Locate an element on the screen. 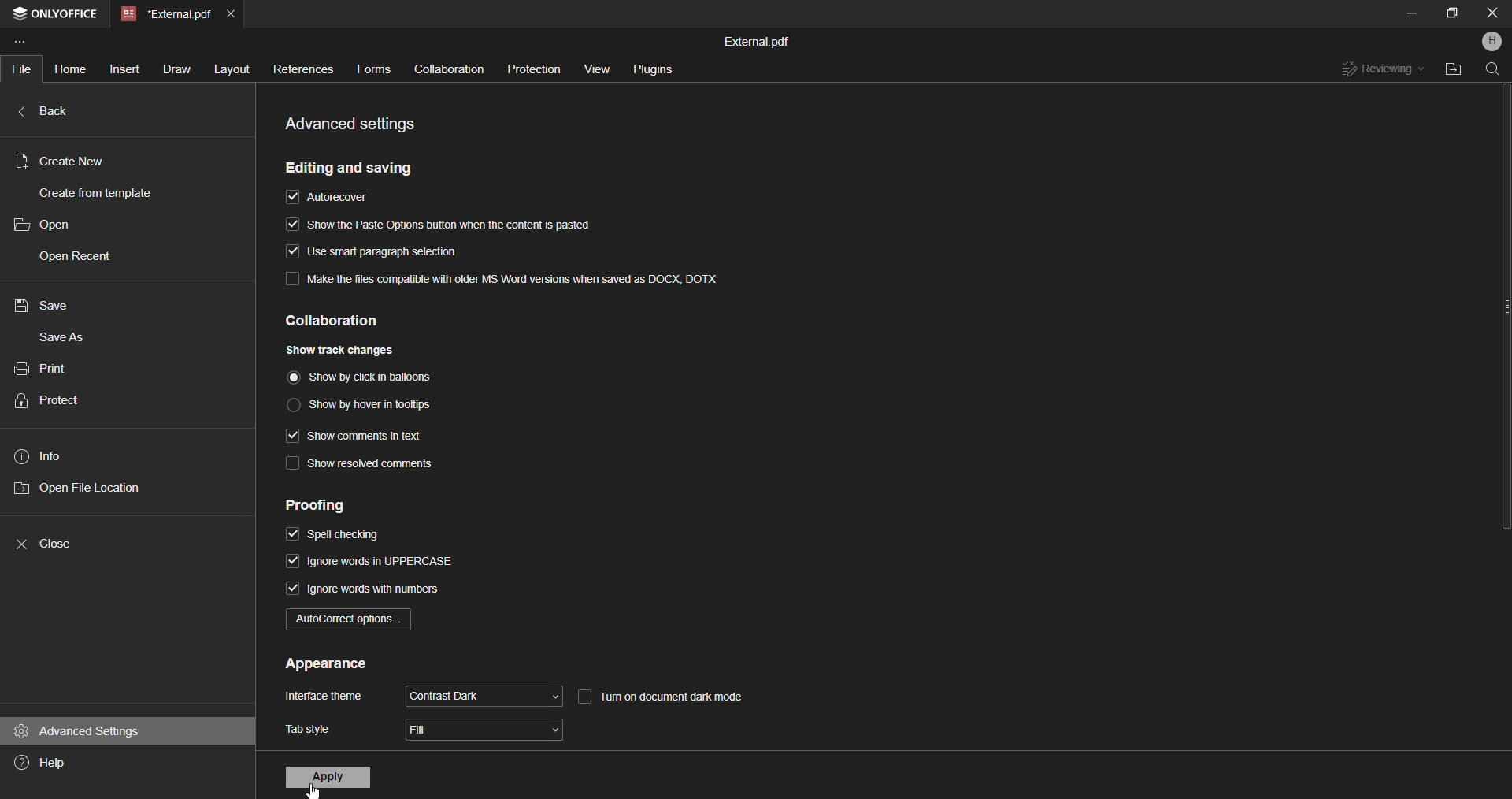 The width and height of the screenshot is (1512, 799). cursor is located at coordinates (314, 791).